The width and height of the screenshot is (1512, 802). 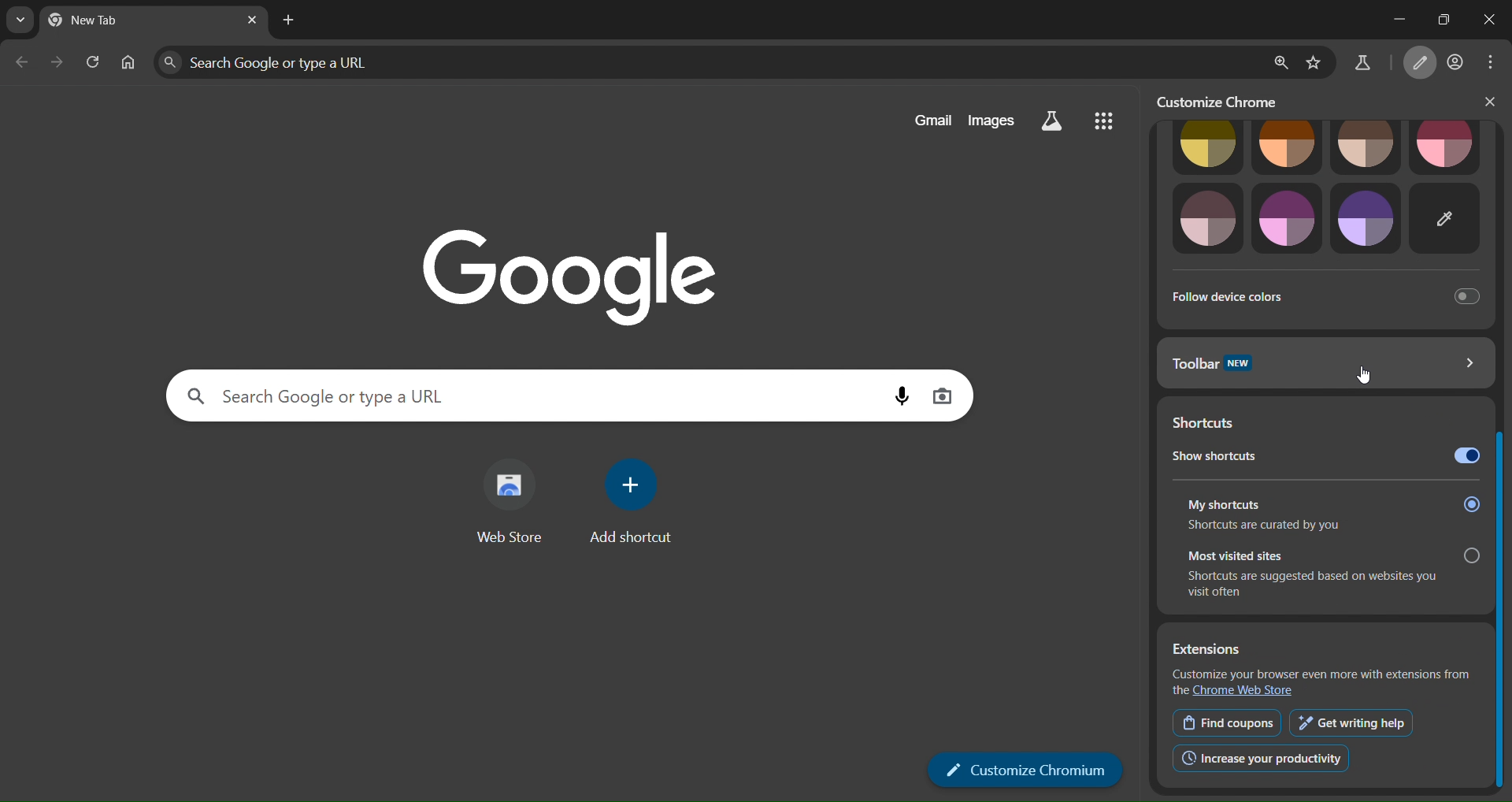 I want to click on shortcuts, so click(x=1220, y=423).